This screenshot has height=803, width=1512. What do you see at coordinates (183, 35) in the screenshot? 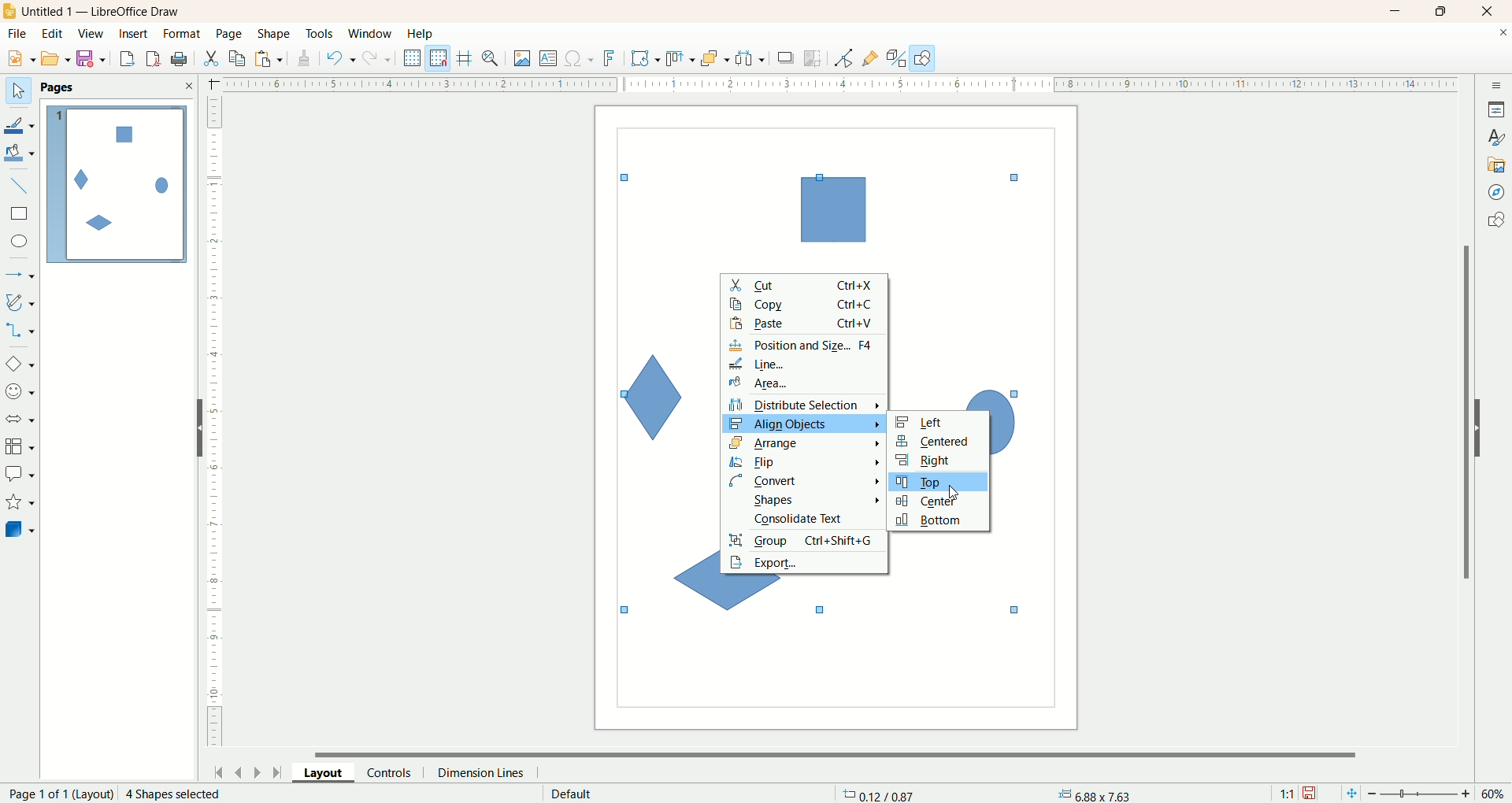
I see `format` at bounding box center [183, 35].